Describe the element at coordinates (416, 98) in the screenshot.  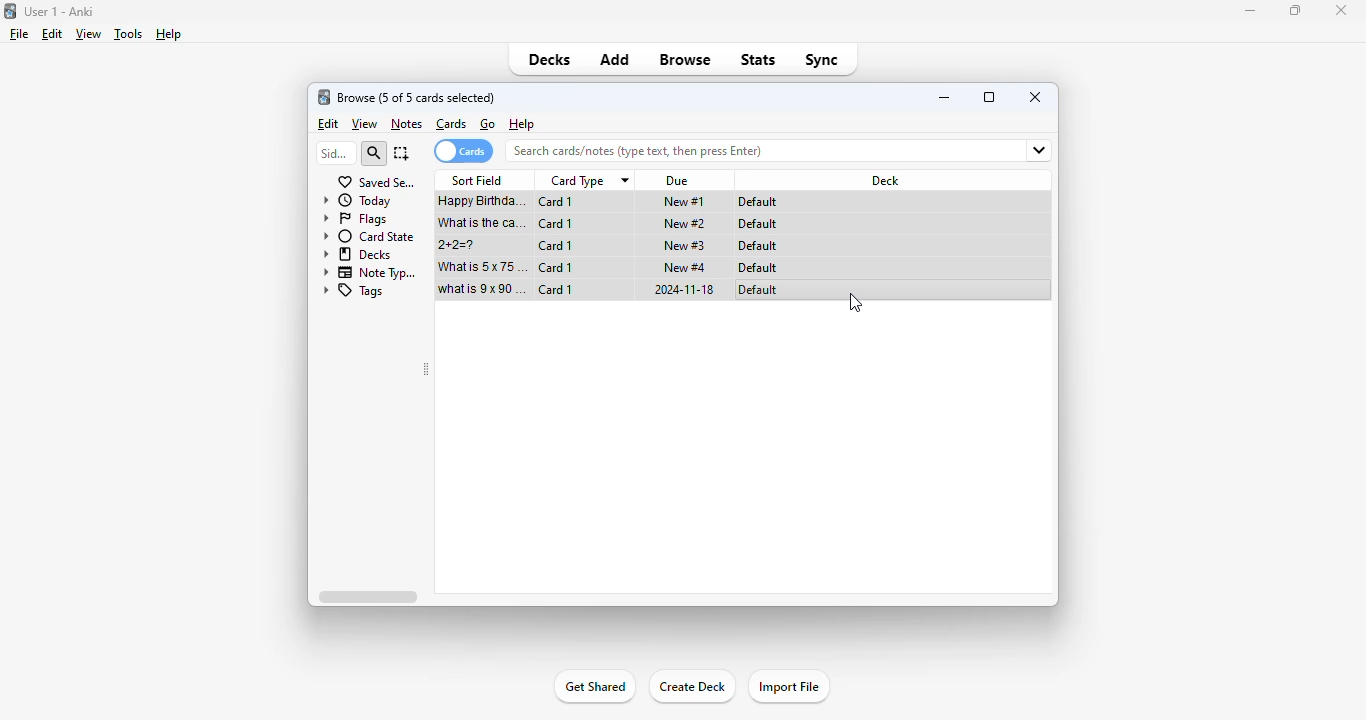
I see `browse (1 of 5 cards selected)` at that location.